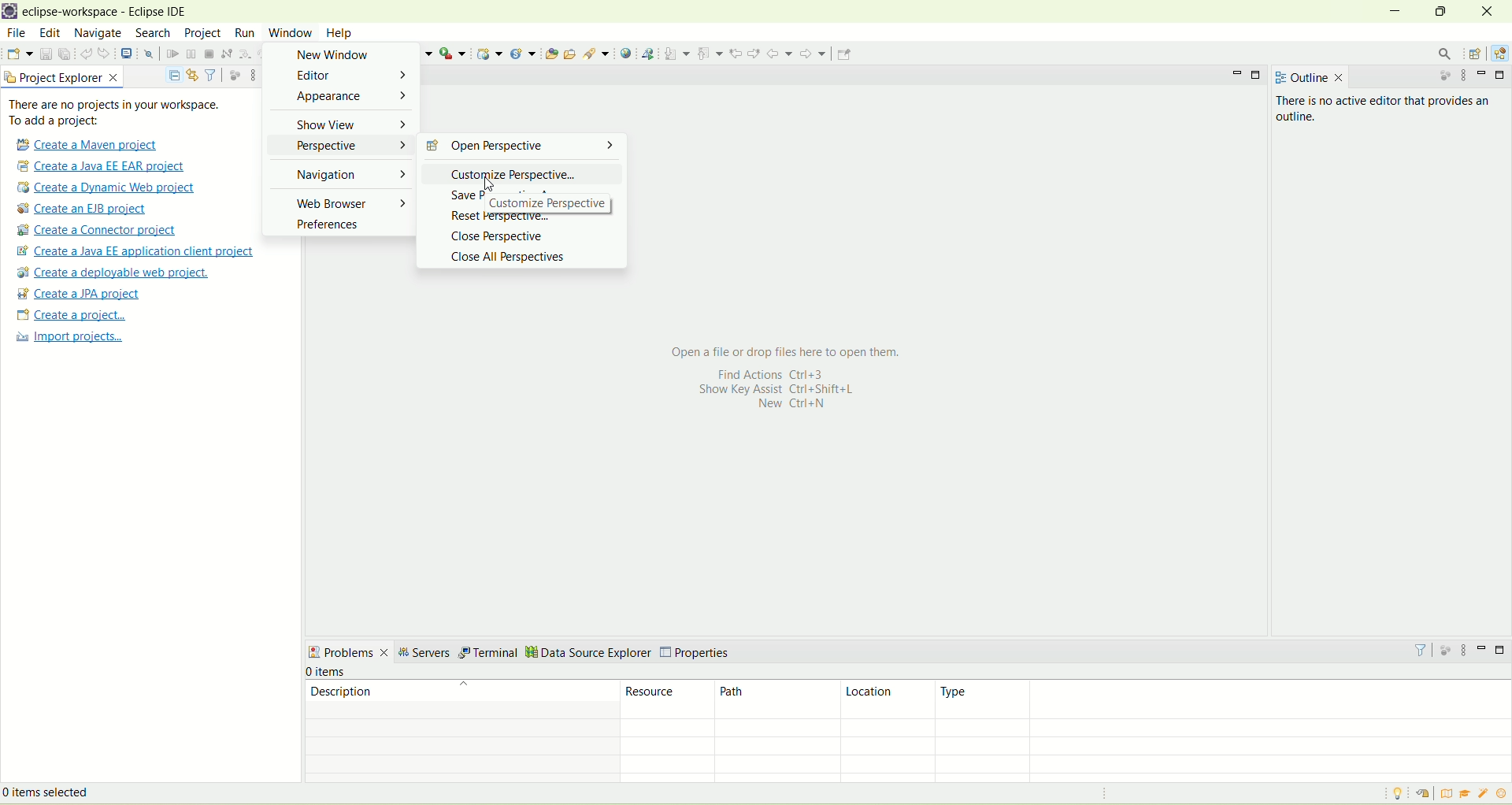 Image resolution: width=1512 pixels, height=805 pixels. Describe the element at coordinates (126, 54) in the screenshot. I see `open a terminal` at that location.